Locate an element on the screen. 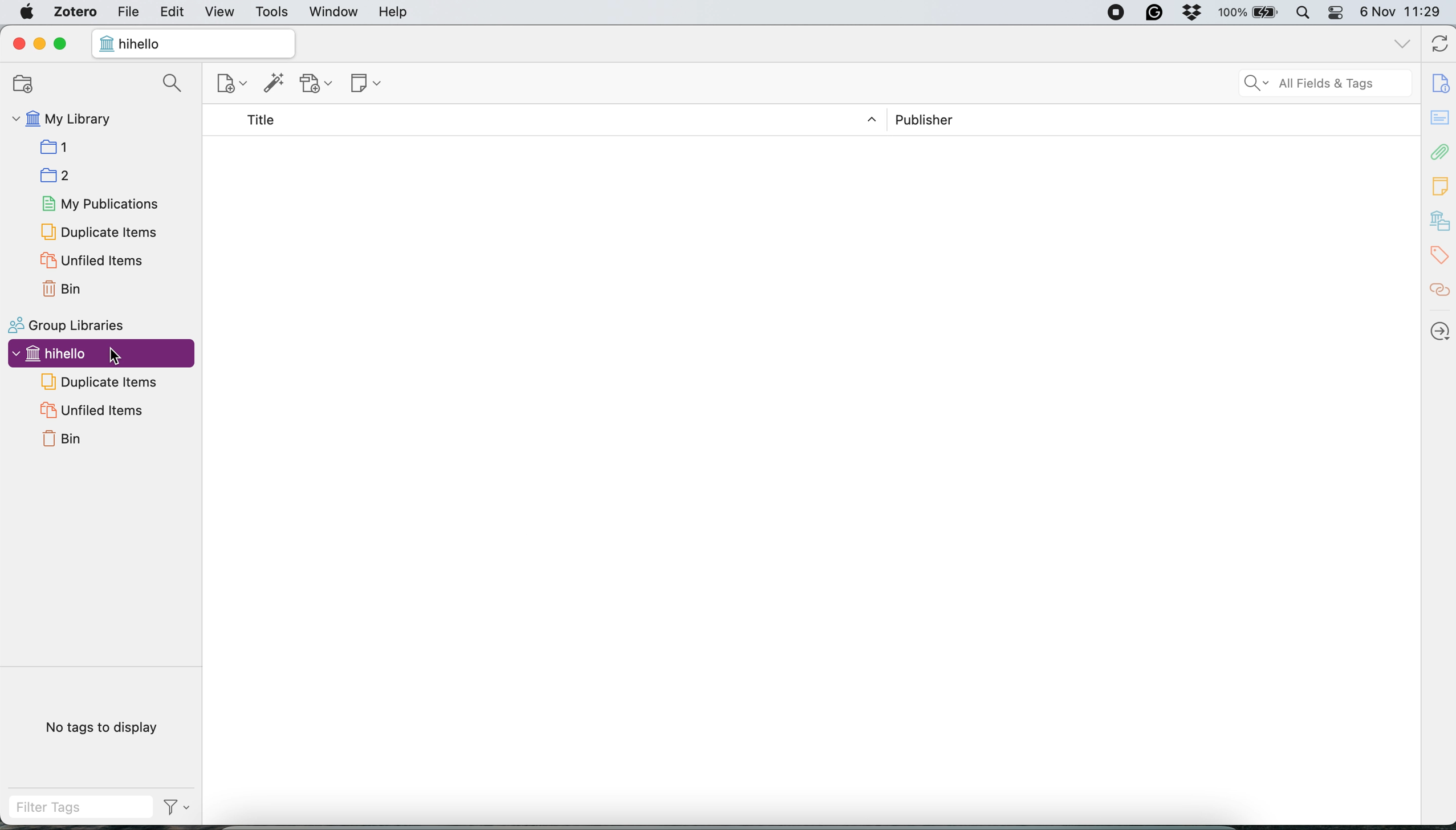 This screenshot has width=1456, height=830. Battery is located at coordinates (1267, 14).